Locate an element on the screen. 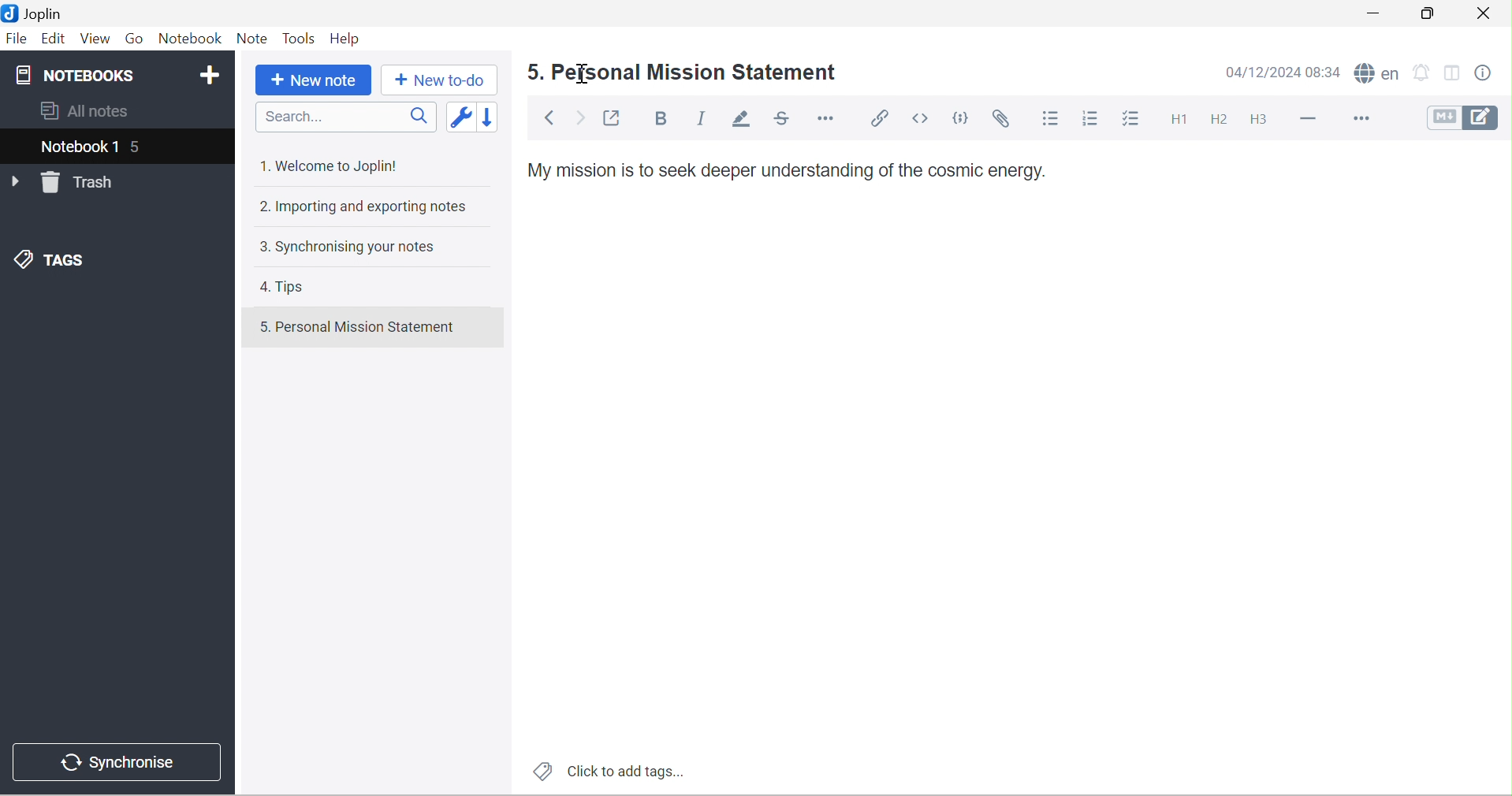 This screenshot has height=796, width=1512. Note properties is located at coordinates (1493, 73).